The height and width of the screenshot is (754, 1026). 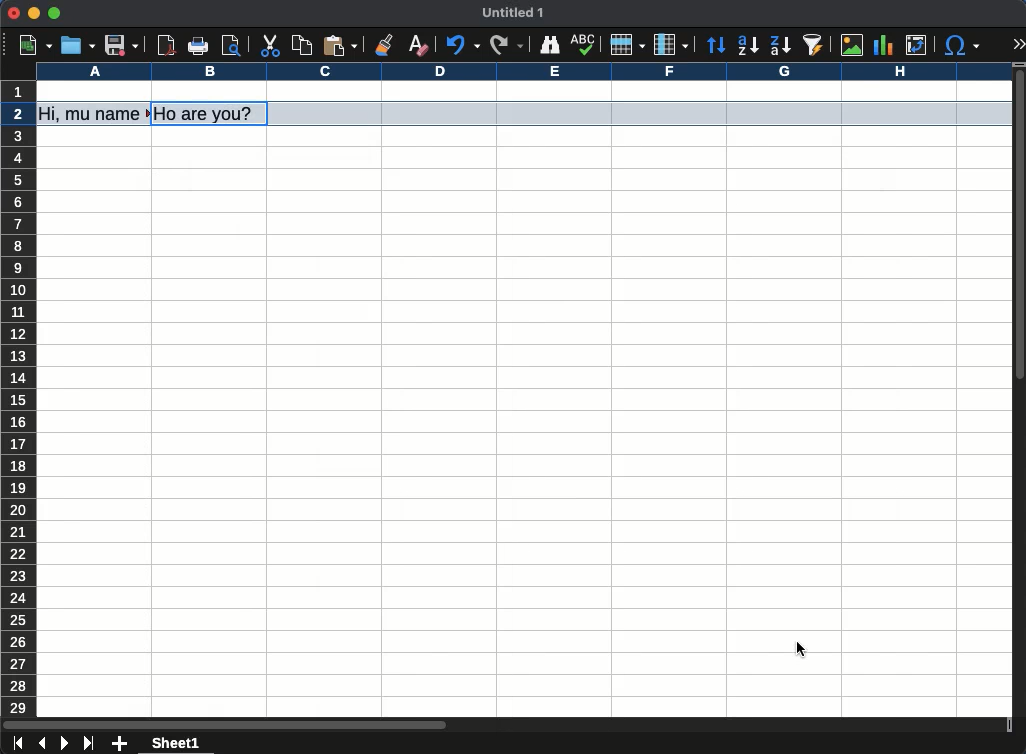 I want to click on save, so click(x=122, y=45).